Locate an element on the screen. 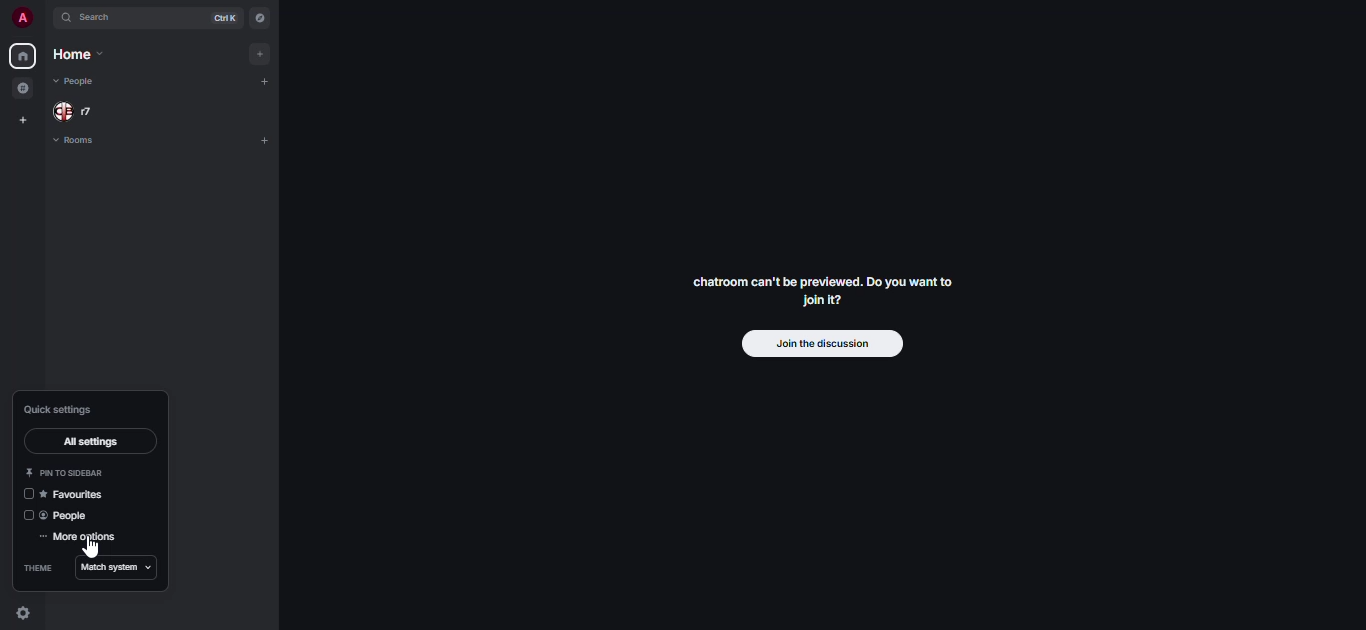 This screenshot has width=1366, height=630. quick settings is located at coordinates (58, 409).